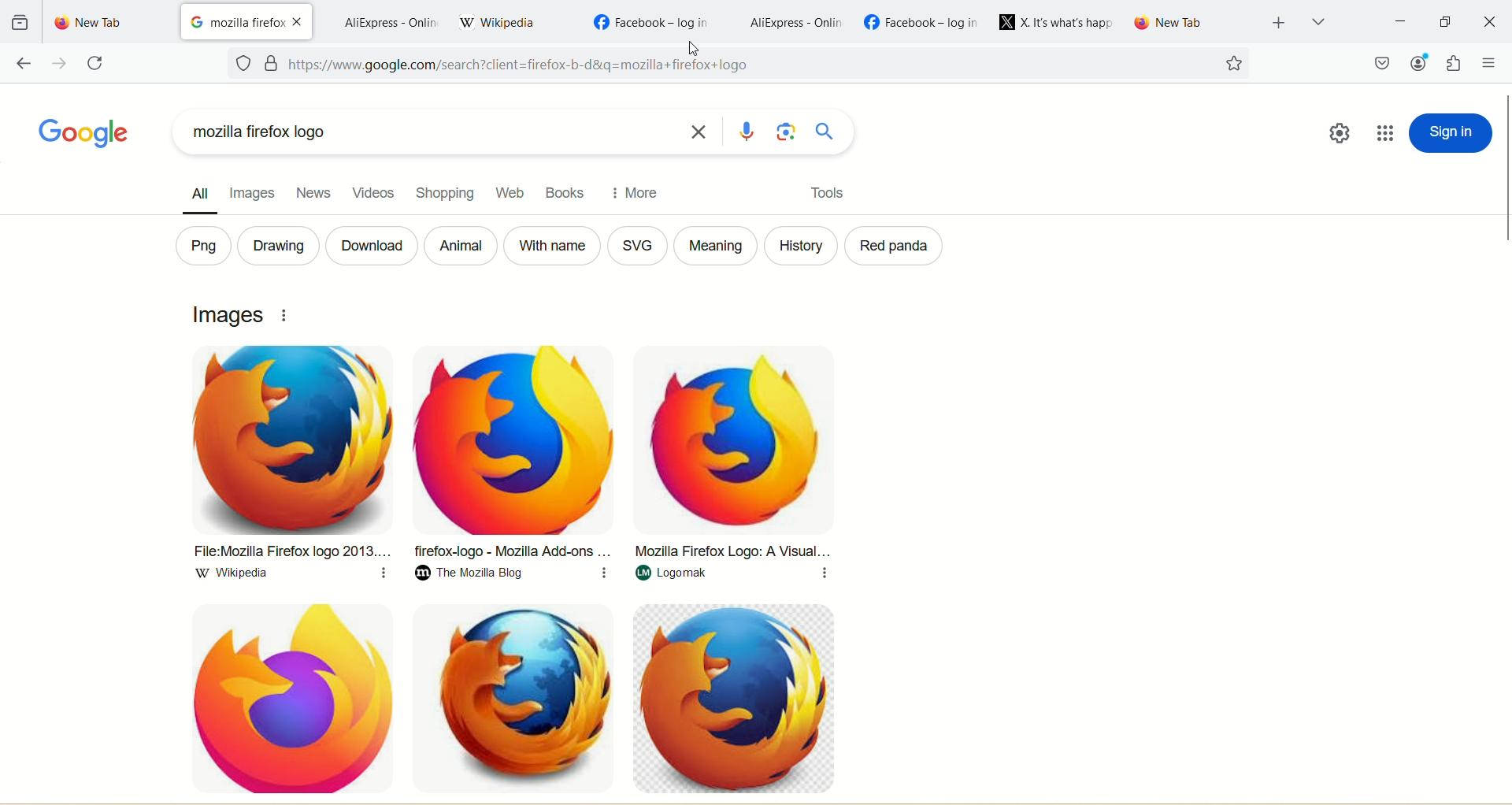 The image size is (1512, 805). Describe the element at coordinates (694, 49) in the screenshot. I see `cursor` at that location.